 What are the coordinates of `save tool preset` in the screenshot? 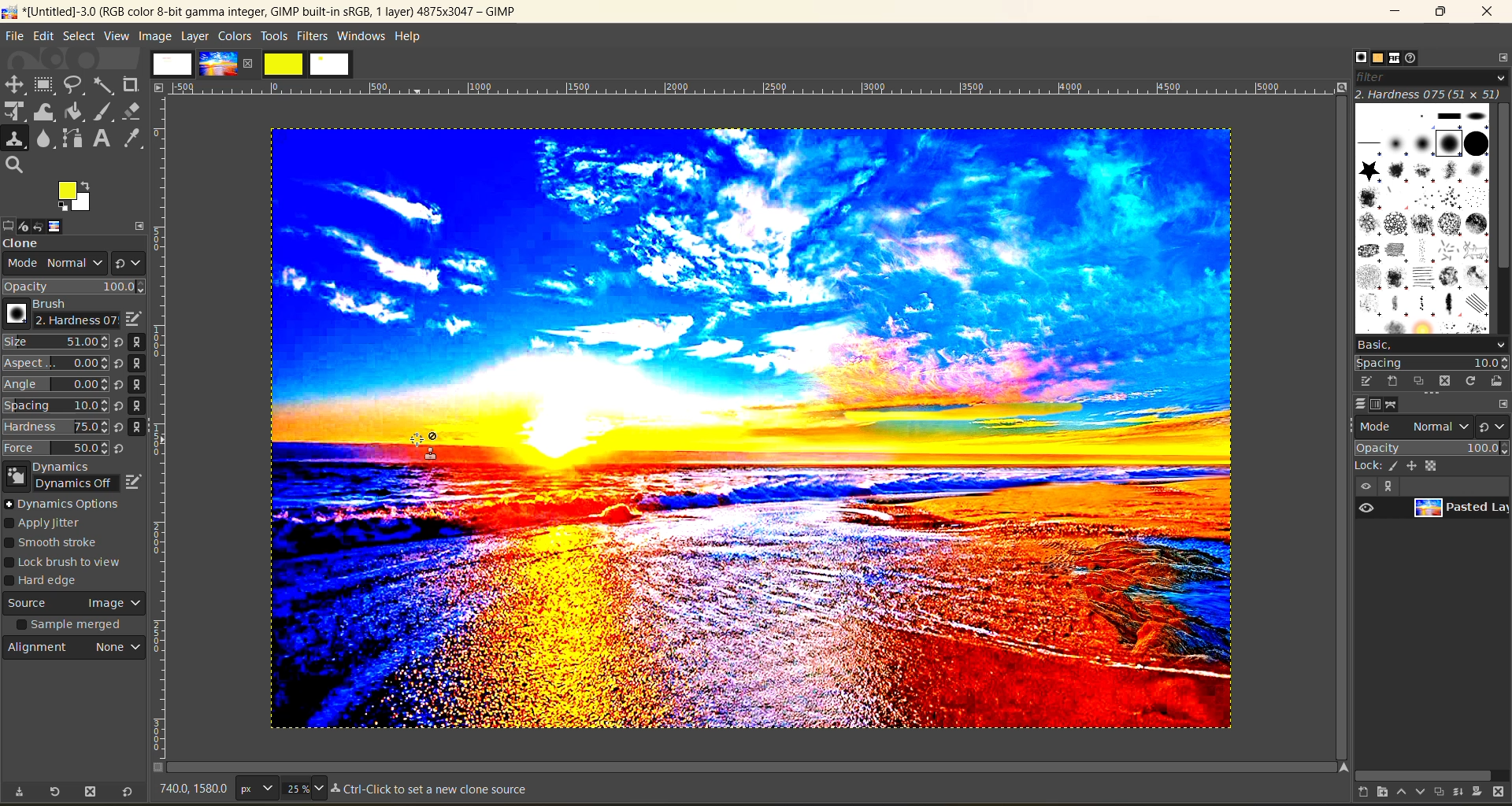 It's located at (18, 792).